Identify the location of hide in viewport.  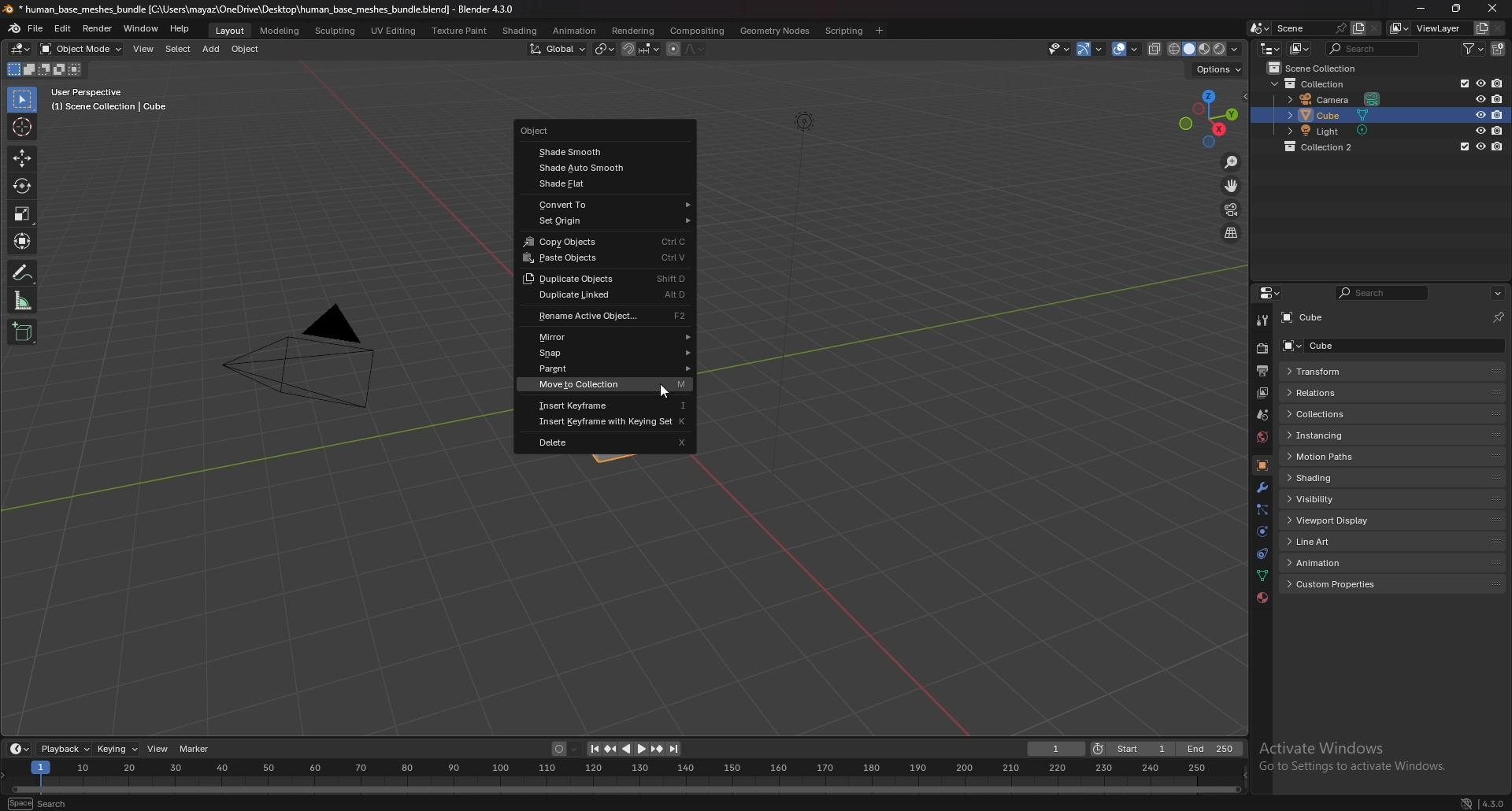
(1480, 83).